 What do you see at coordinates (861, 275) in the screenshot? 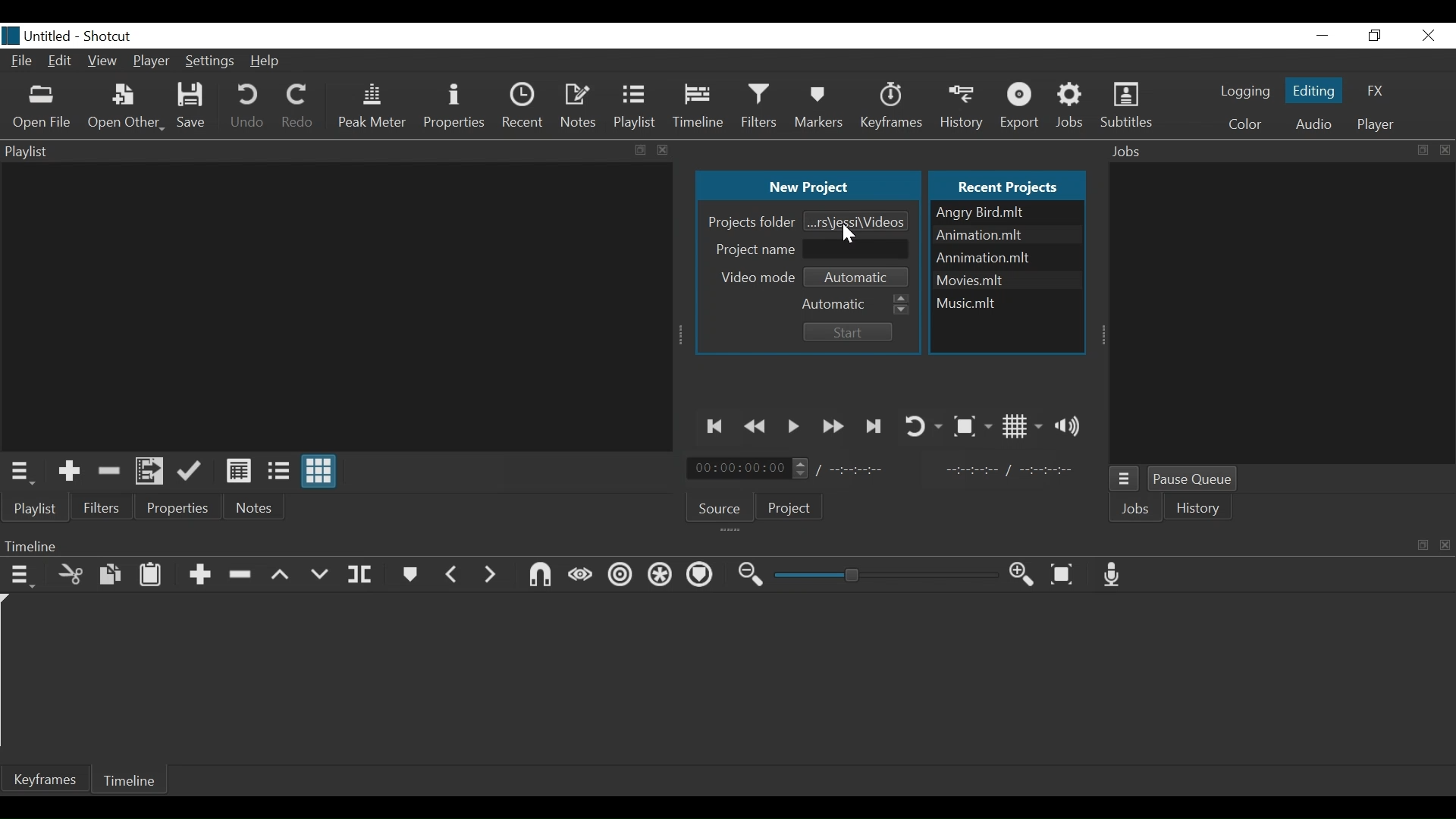
I see `Automatic` at bounding box center [861, 275].